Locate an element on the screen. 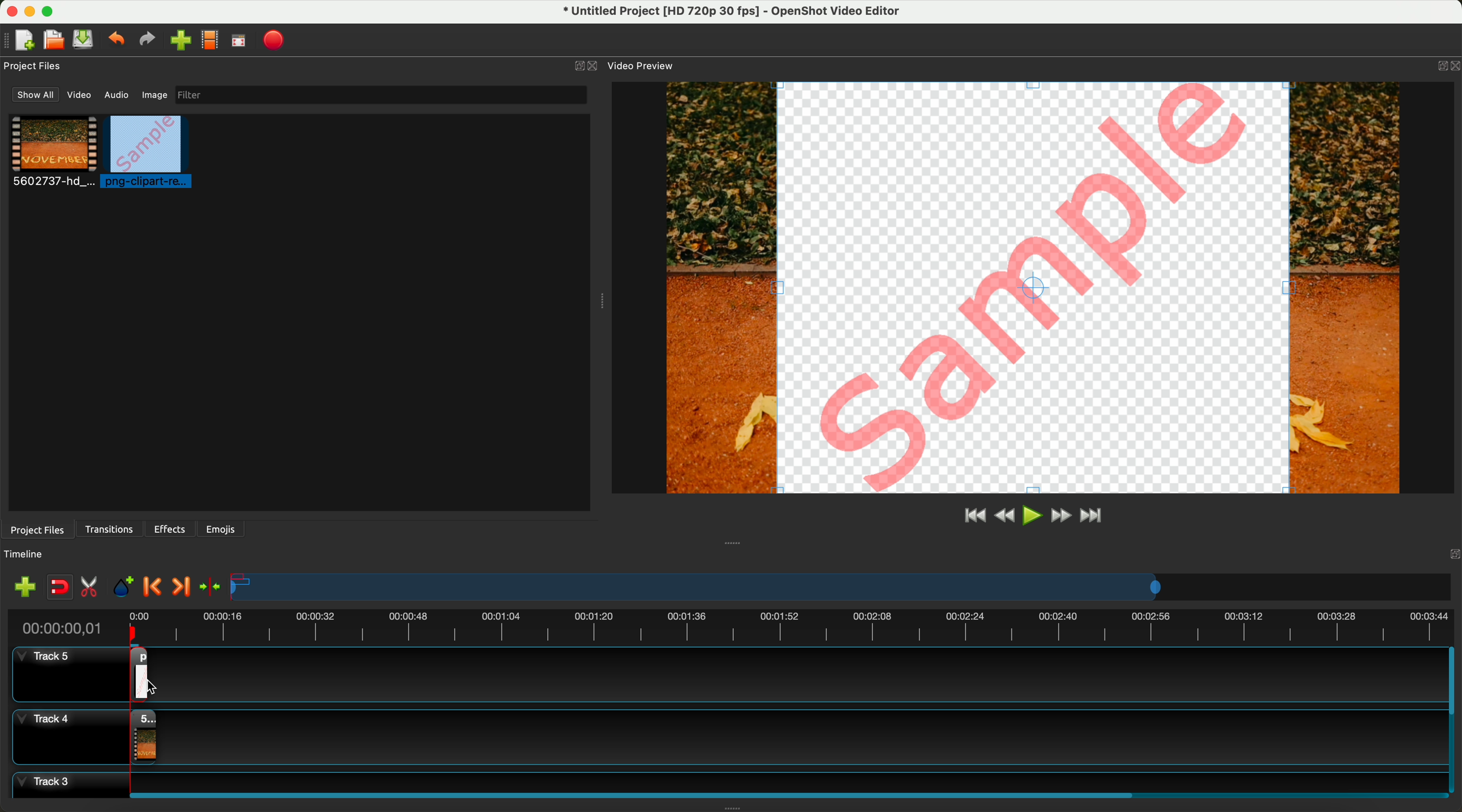 The height and width of the screenshot is (812, 1462). video is located at coordinates (81, 97).